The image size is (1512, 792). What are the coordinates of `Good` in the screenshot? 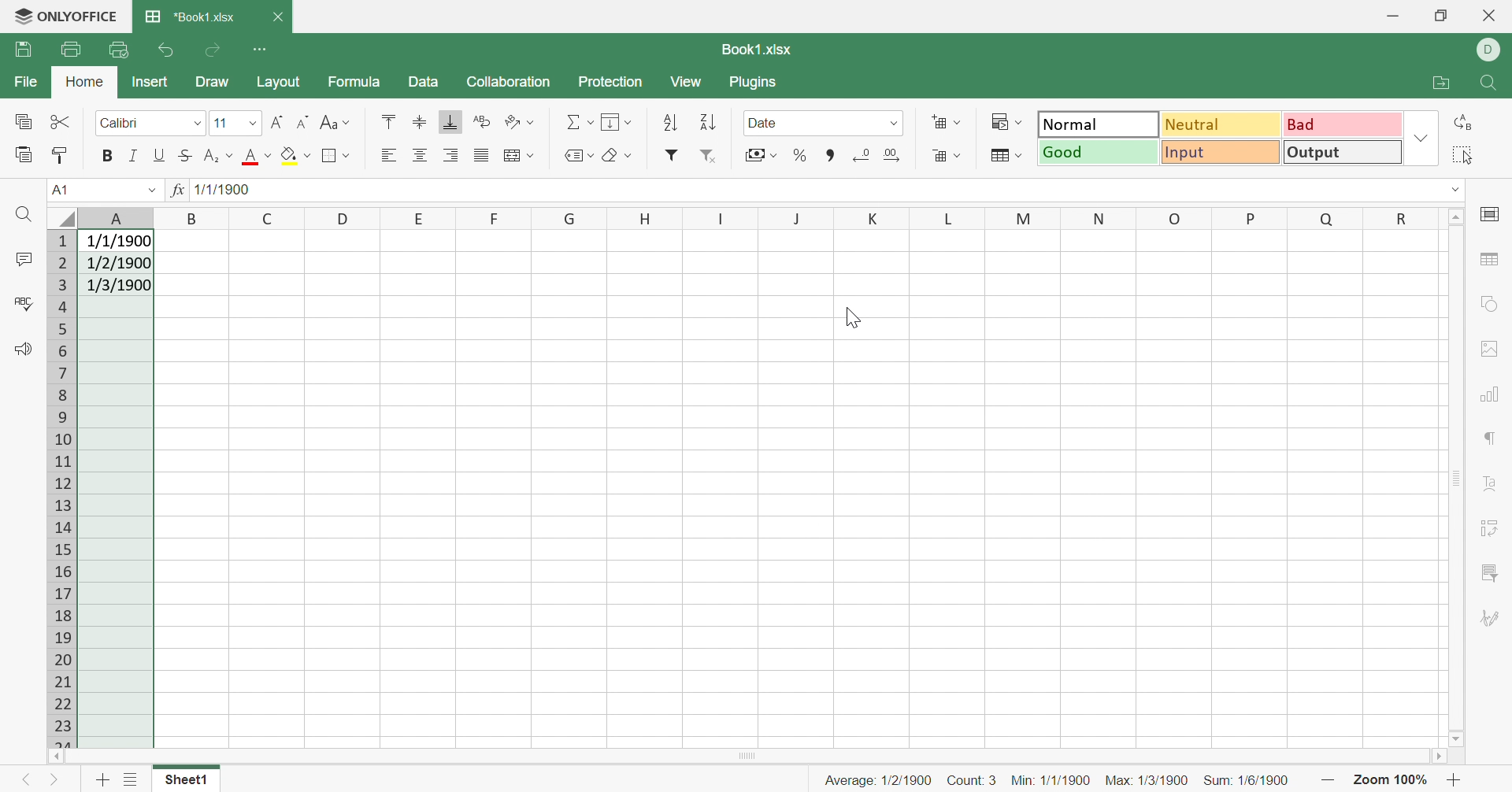 It's located at (1099, 152).